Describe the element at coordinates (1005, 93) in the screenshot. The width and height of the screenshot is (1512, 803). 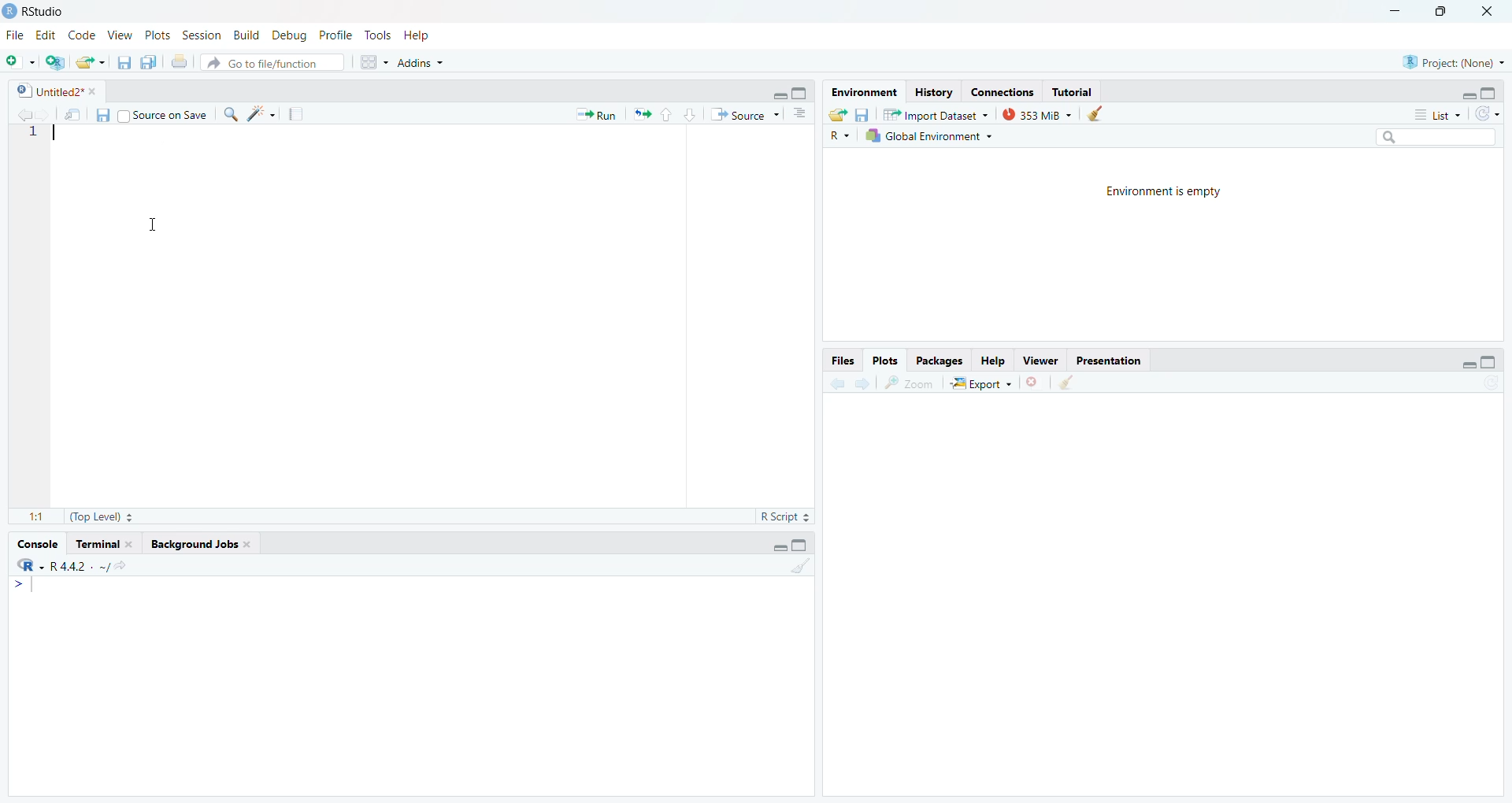
I see `Connections.` at that location.